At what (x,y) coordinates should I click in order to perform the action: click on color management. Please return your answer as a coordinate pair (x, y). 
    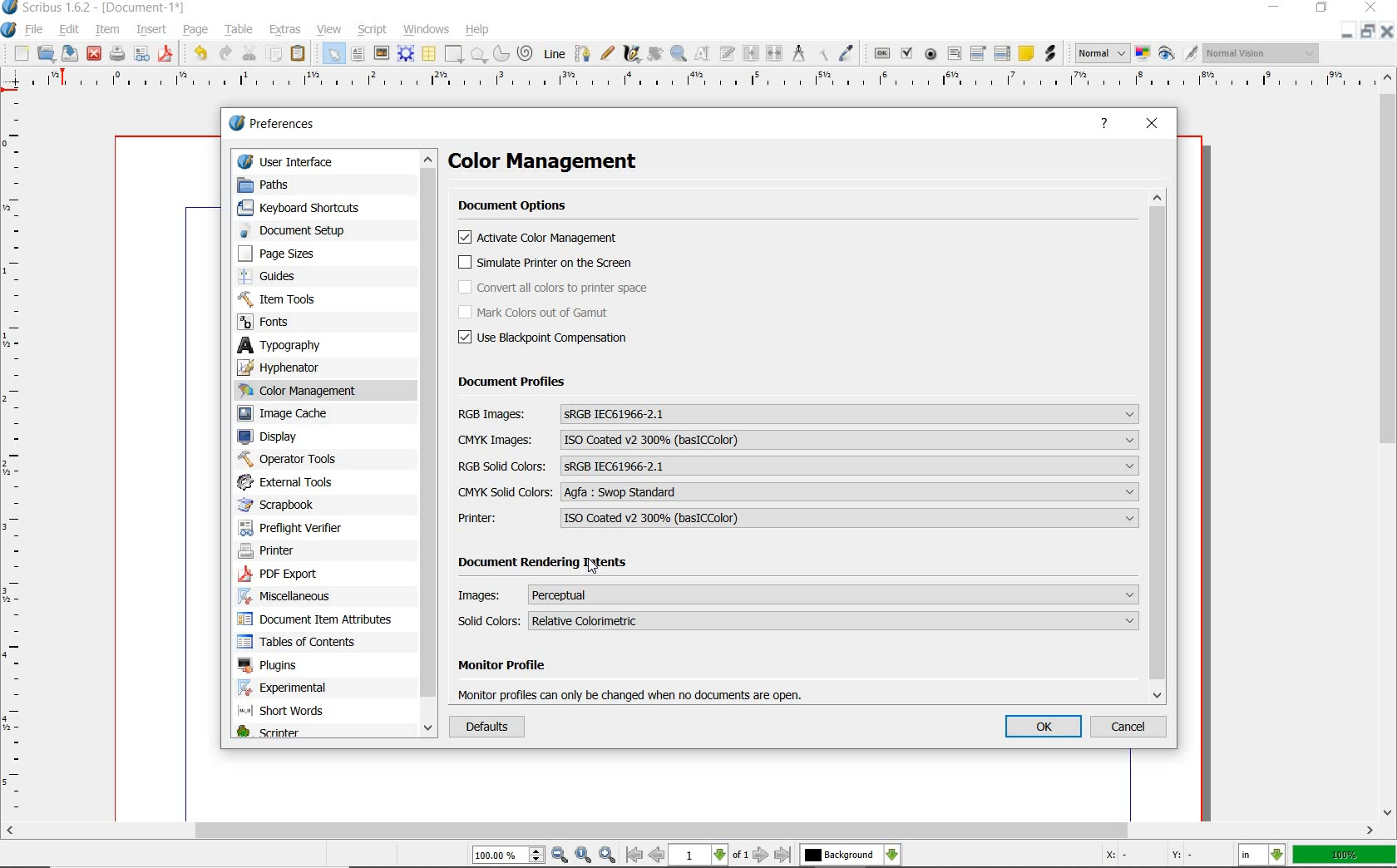
    Looking at the image, I should click on (304, 390).